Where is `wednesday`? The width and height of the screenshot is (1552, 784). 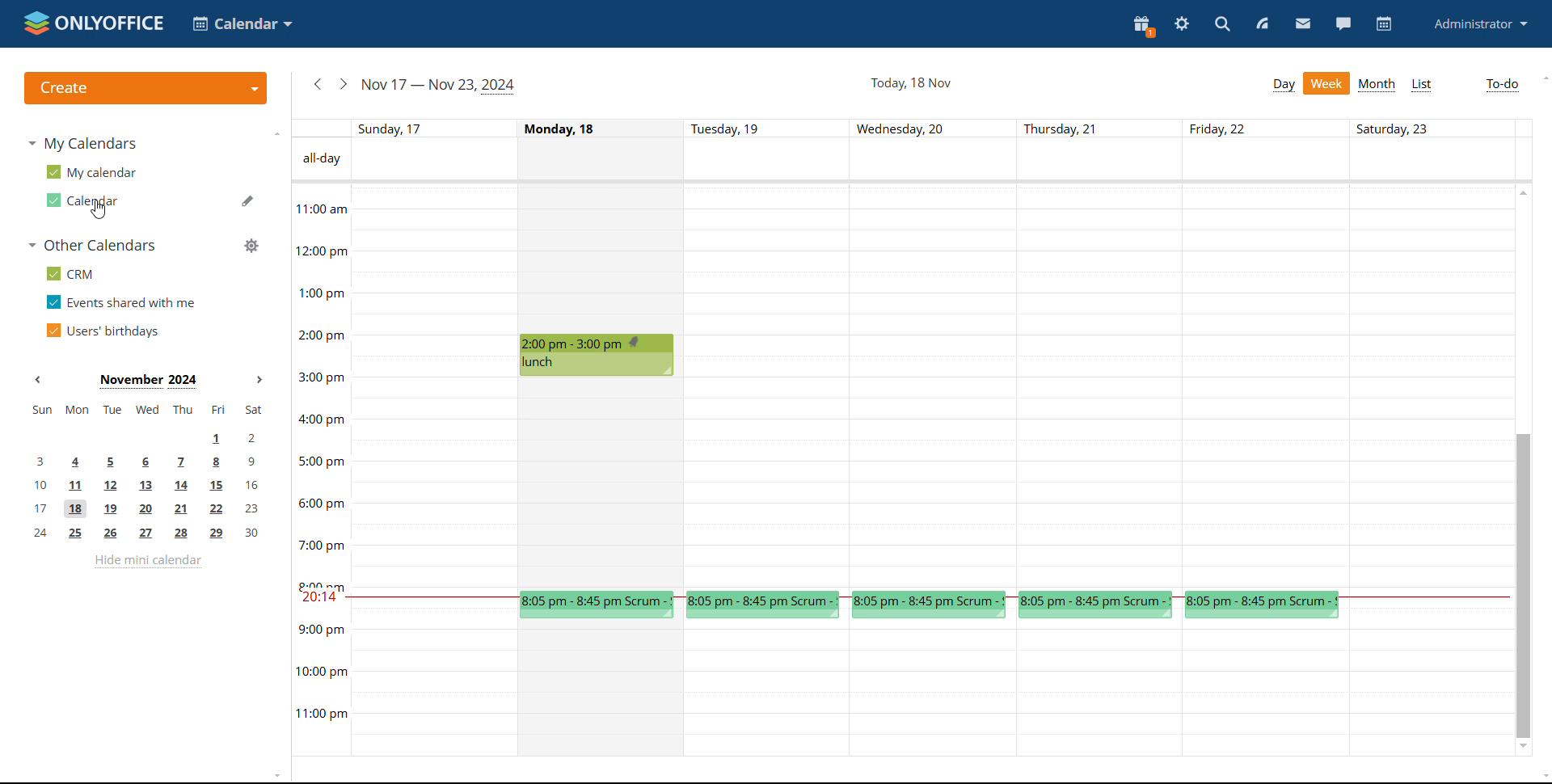 wednesday is located at coordinates (934, 691).